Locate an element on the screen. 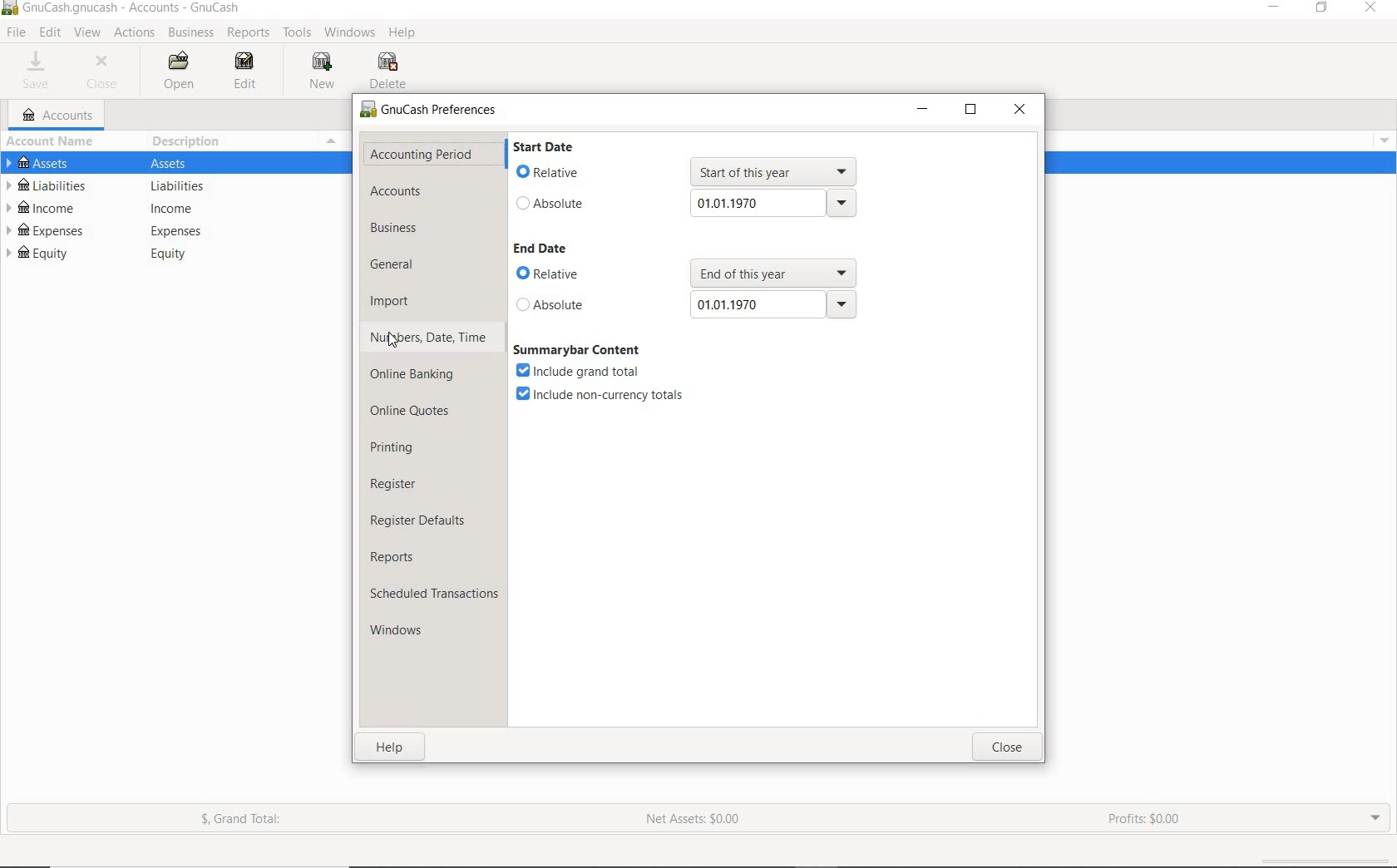 This screenshot has width=1397, height=868. ASSETS is located at coordinates (177, 162).